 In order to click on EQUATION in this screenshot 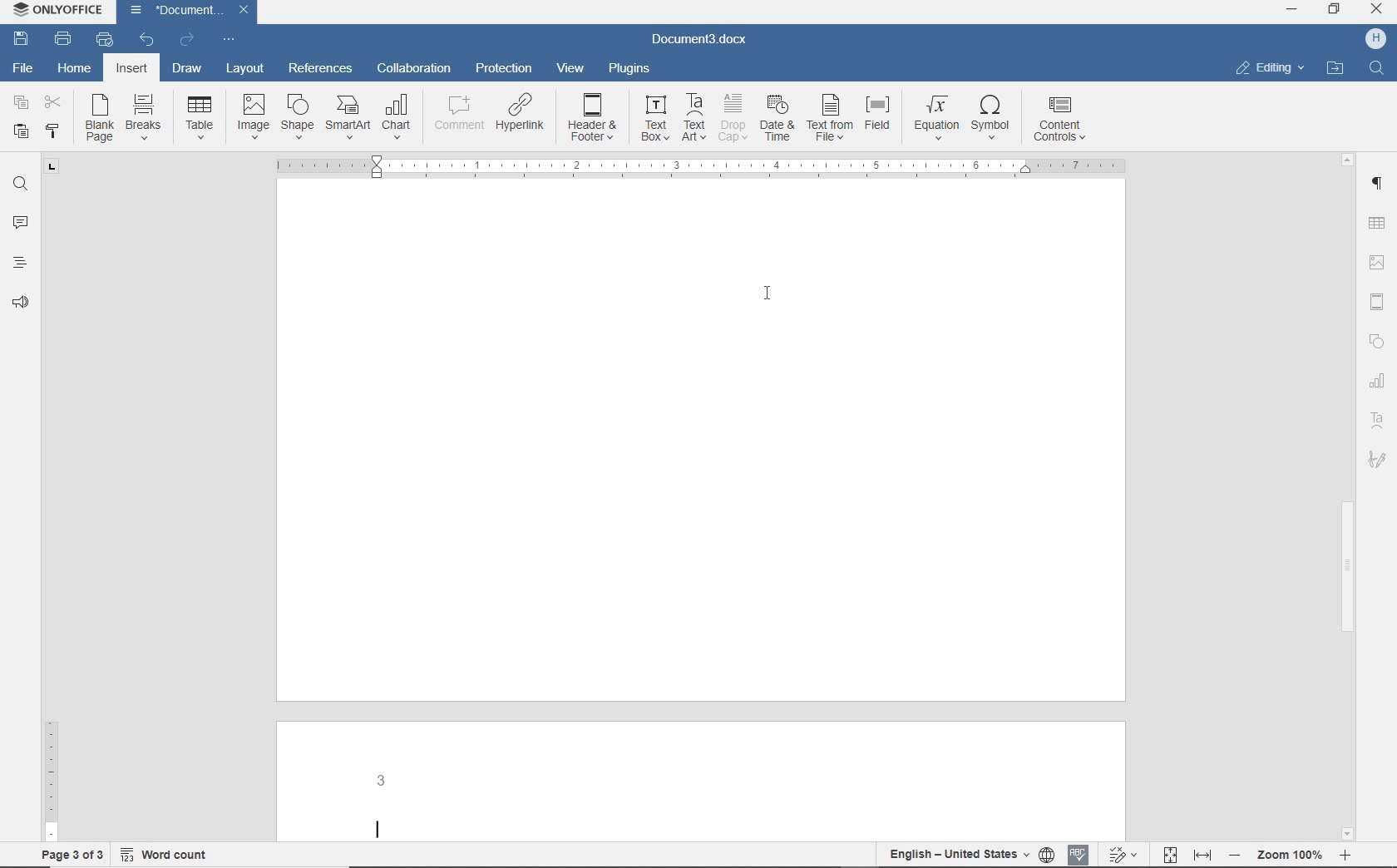, I will do `click(937, 118)`.